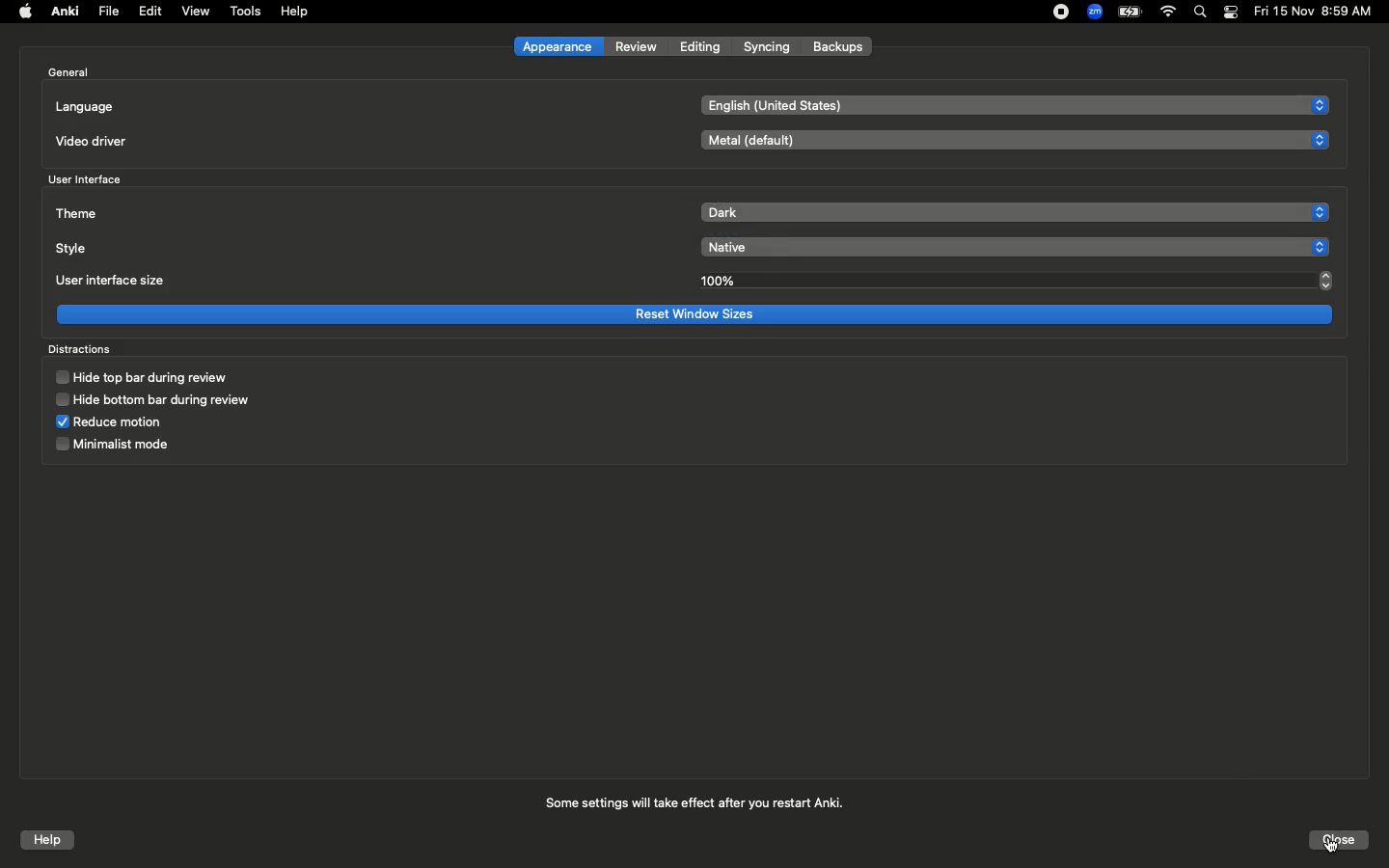 This screenshot has height=868, width=1389. Describe the element at coordinates (836, 46) in the screenshot. I see `Backups` at that location.